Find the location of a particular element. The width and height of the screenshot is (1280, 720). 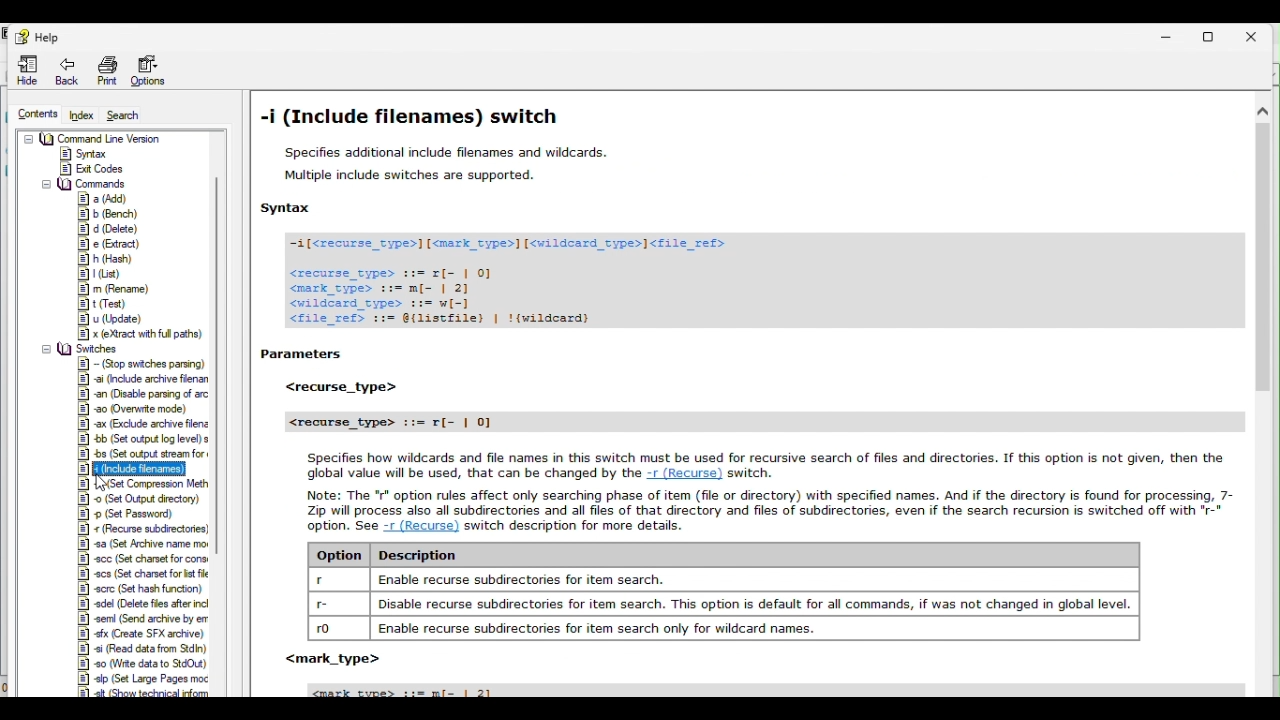

delete is located at coordinates (108, 229).